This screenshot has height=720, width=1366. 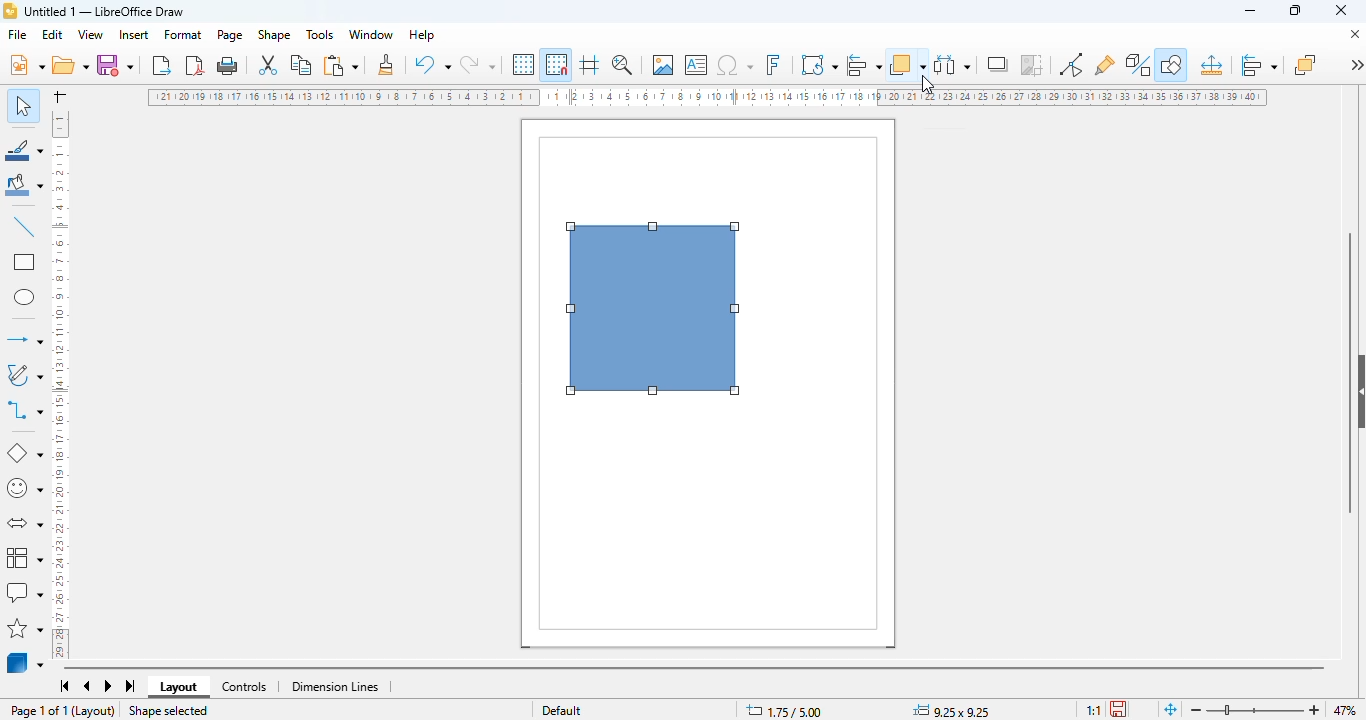 I want to click on paste, so click(x=340, y=65).